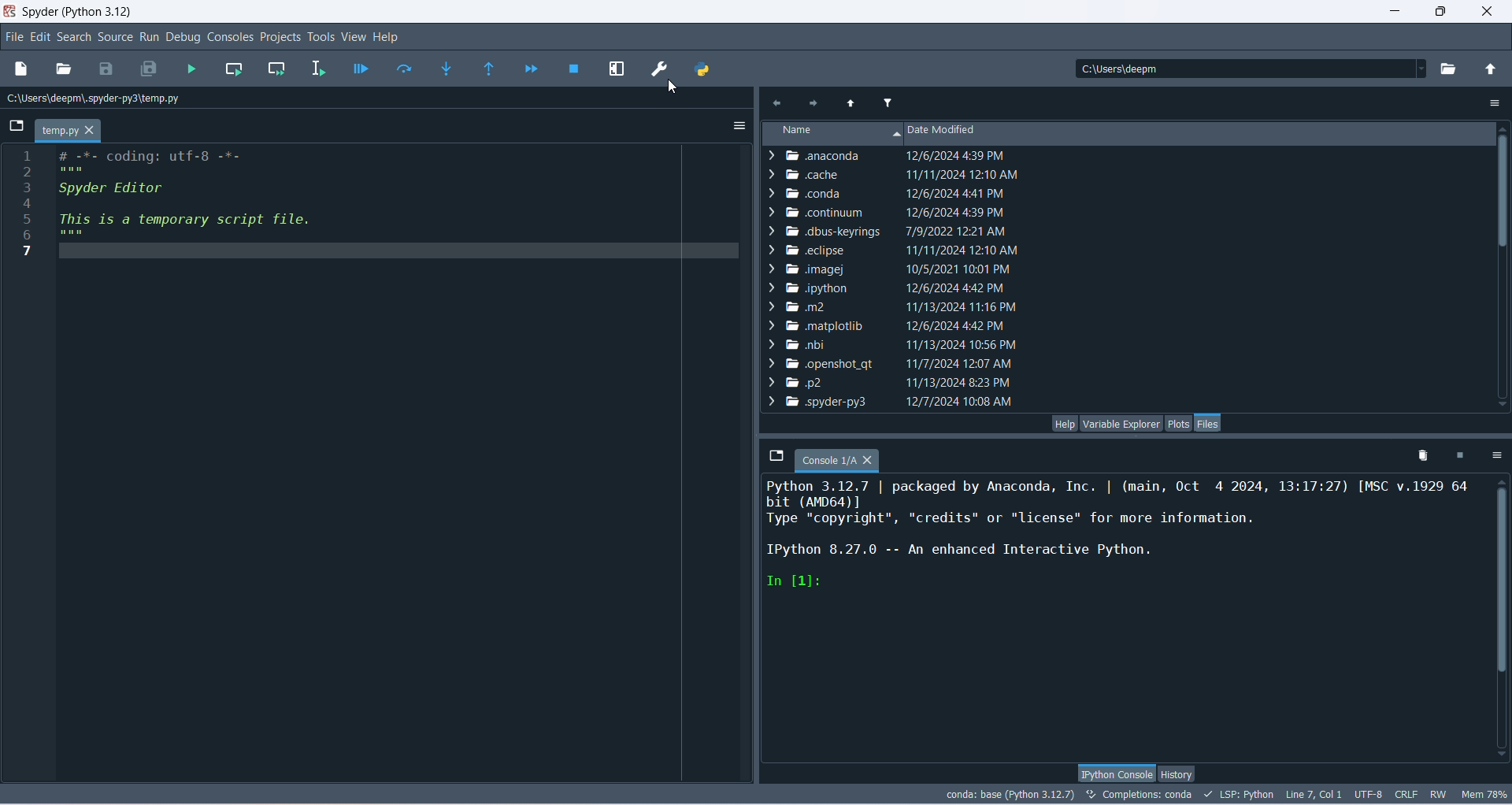  I want to click on maximize current pane, so click(618, 69).